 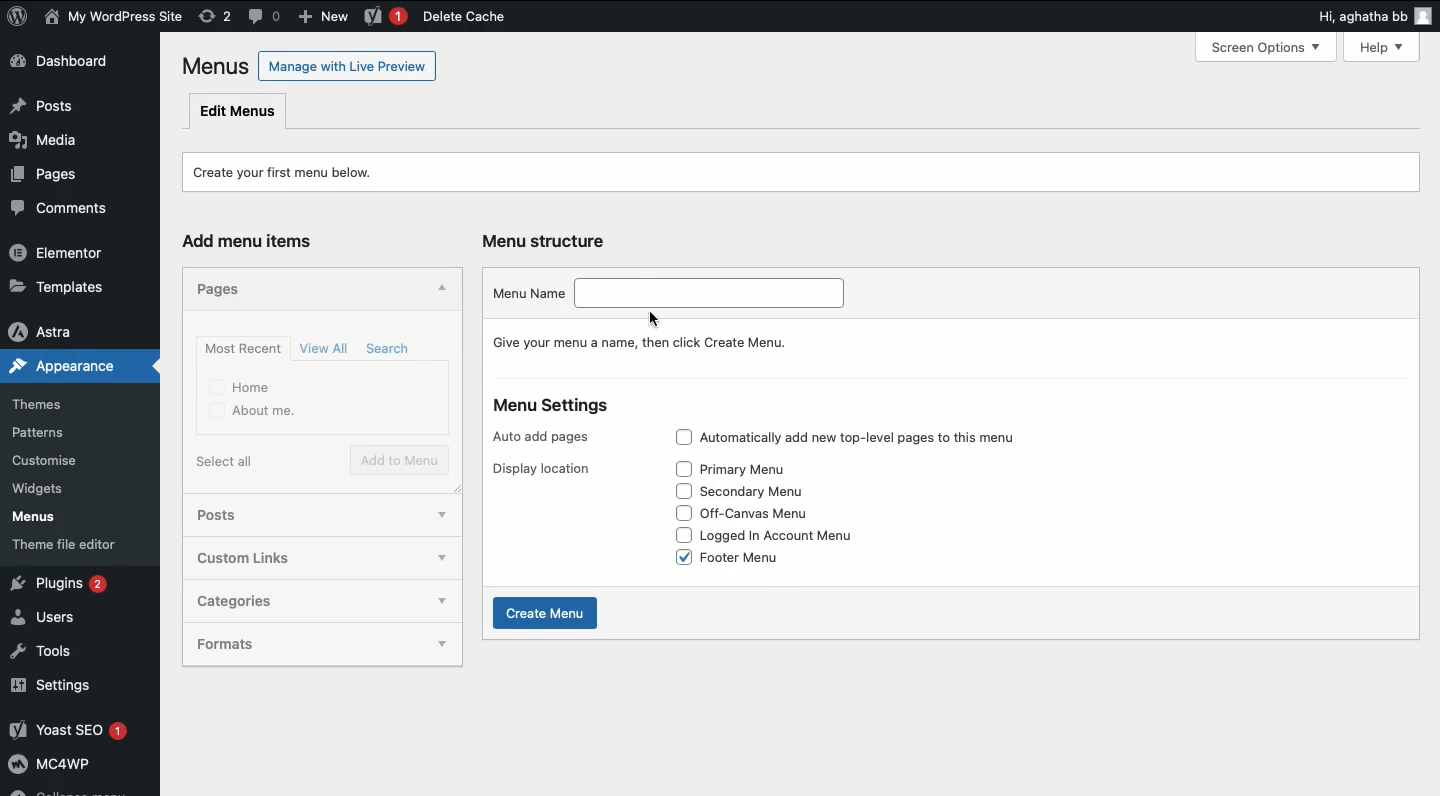 What do you see at coordinates (327, 18) in the screenshot?
I see `New` at bounding box center [327, 18].